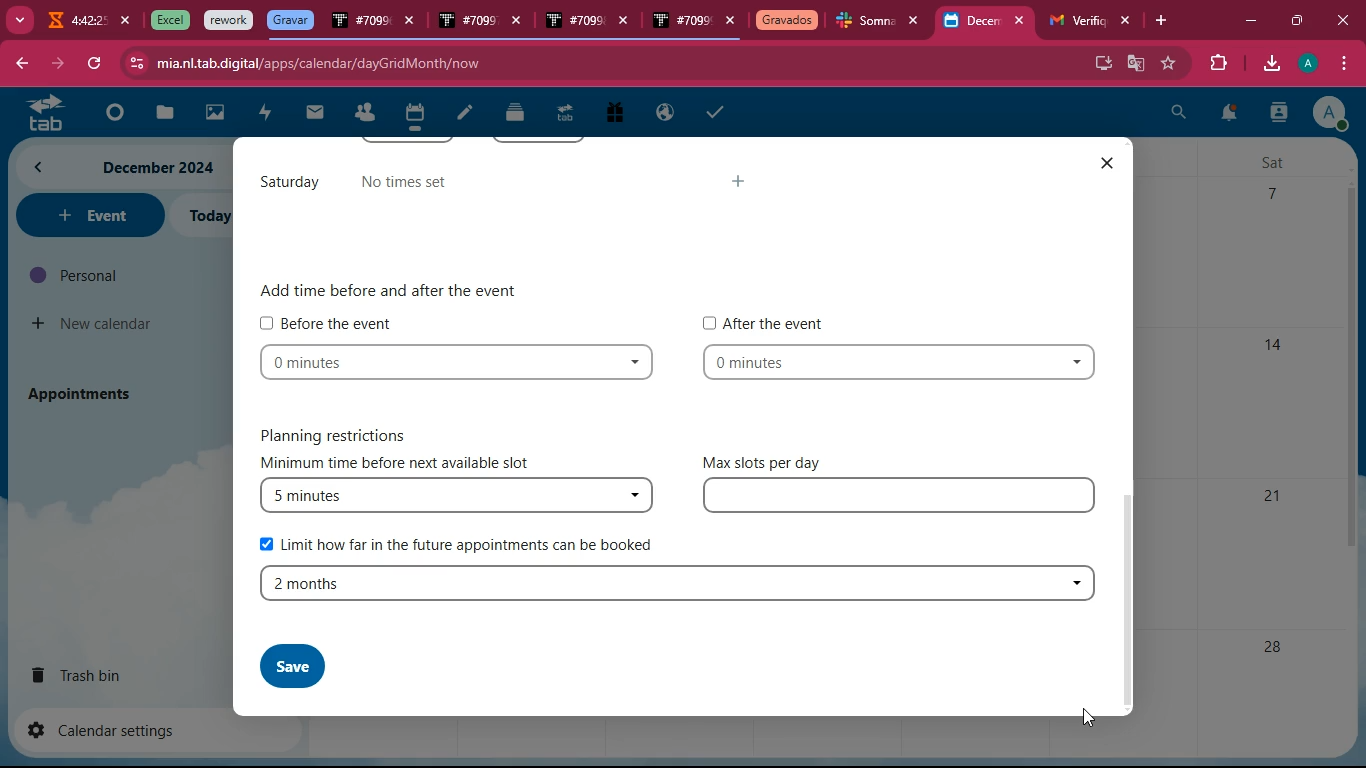 This screenshot has width=1366, height=768. I want to click on beginning, so click(110, 114).